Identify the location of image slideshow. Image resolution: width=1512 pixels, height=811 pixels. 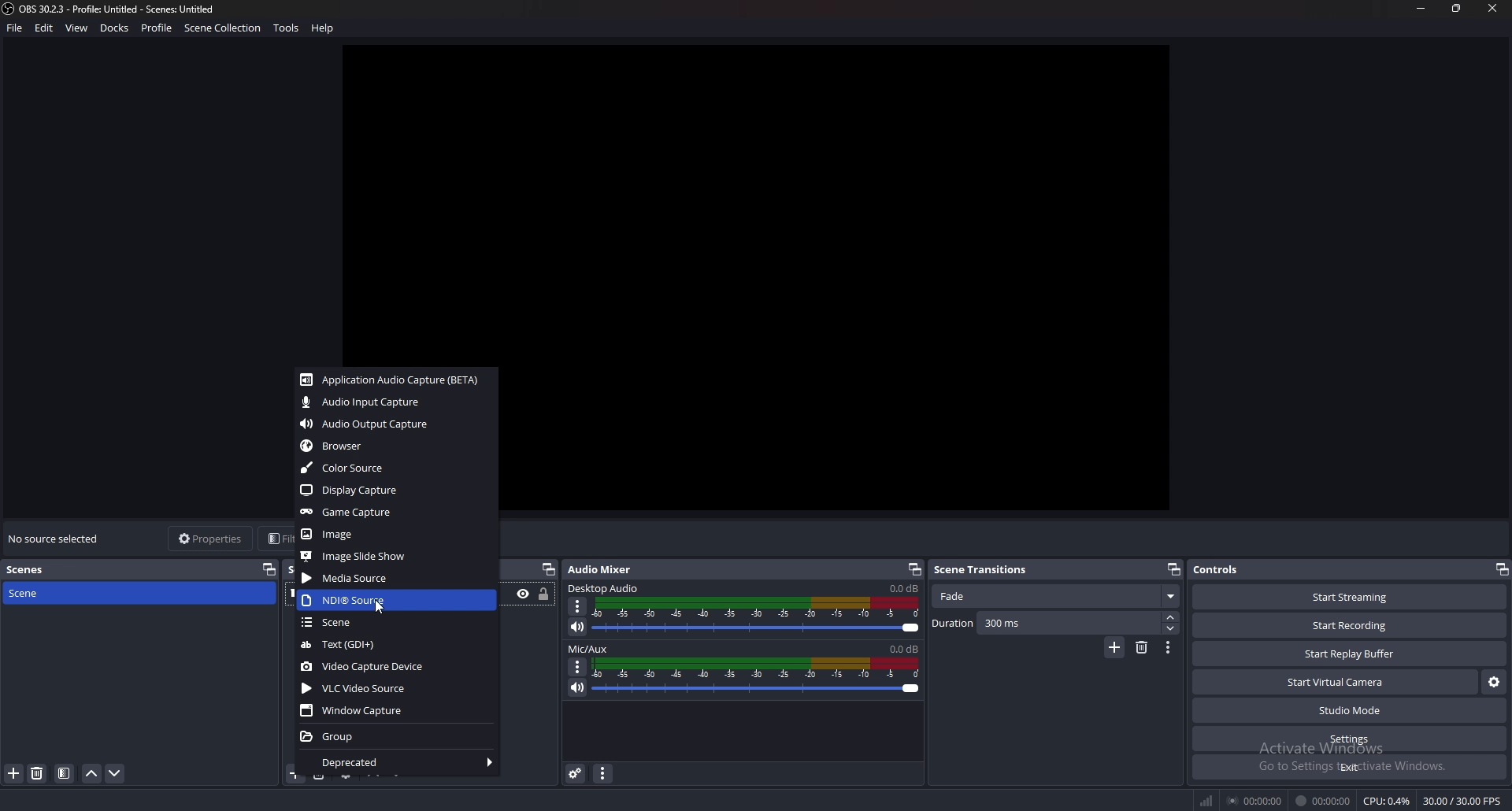
(394, 556).